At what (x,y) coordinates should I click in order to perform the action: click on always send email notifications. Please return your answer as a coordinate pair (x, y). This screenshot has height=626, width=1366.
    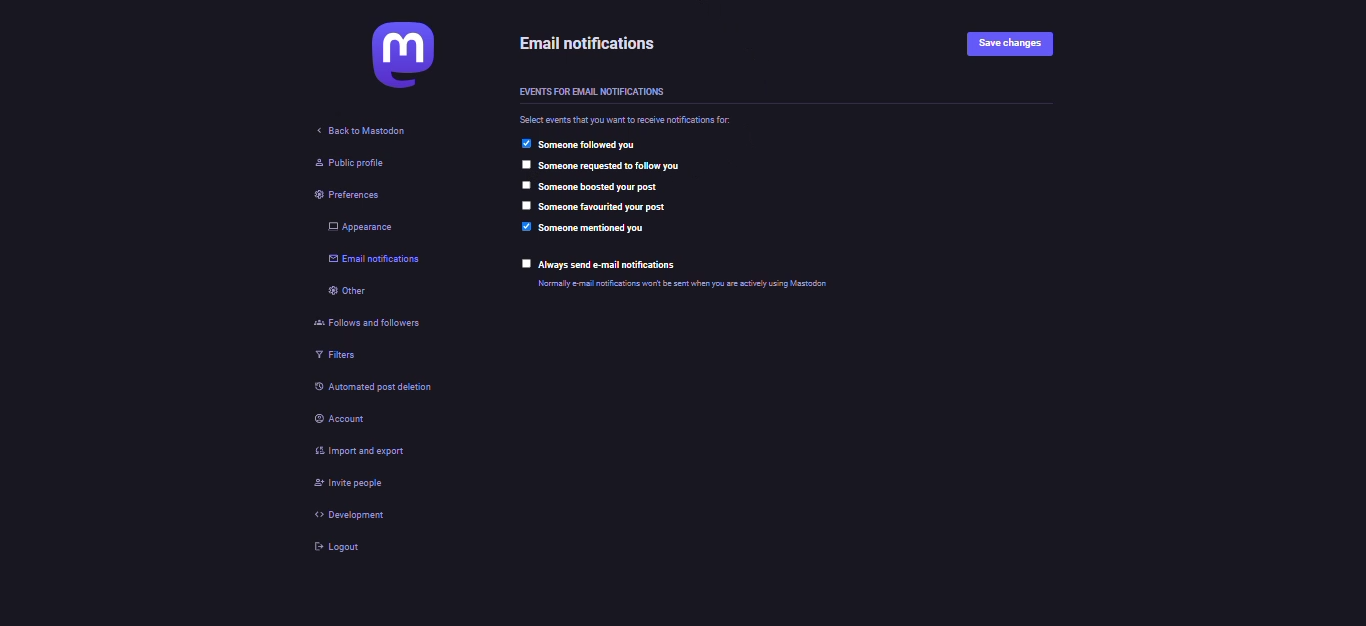
    Looking at the image, I should click on (612, 265).